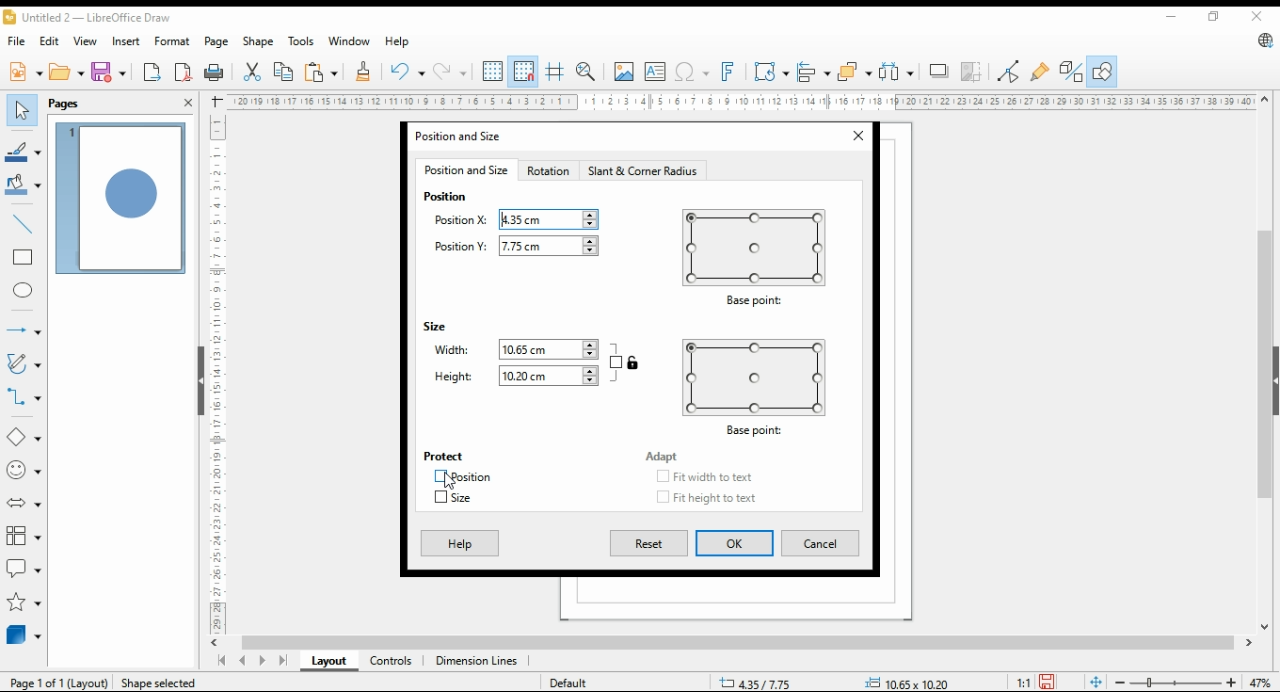 This screenshot has width=1280, height=692. Describe the element at coordinates (1047, 682) in the screenshot. I see `save` at that location.